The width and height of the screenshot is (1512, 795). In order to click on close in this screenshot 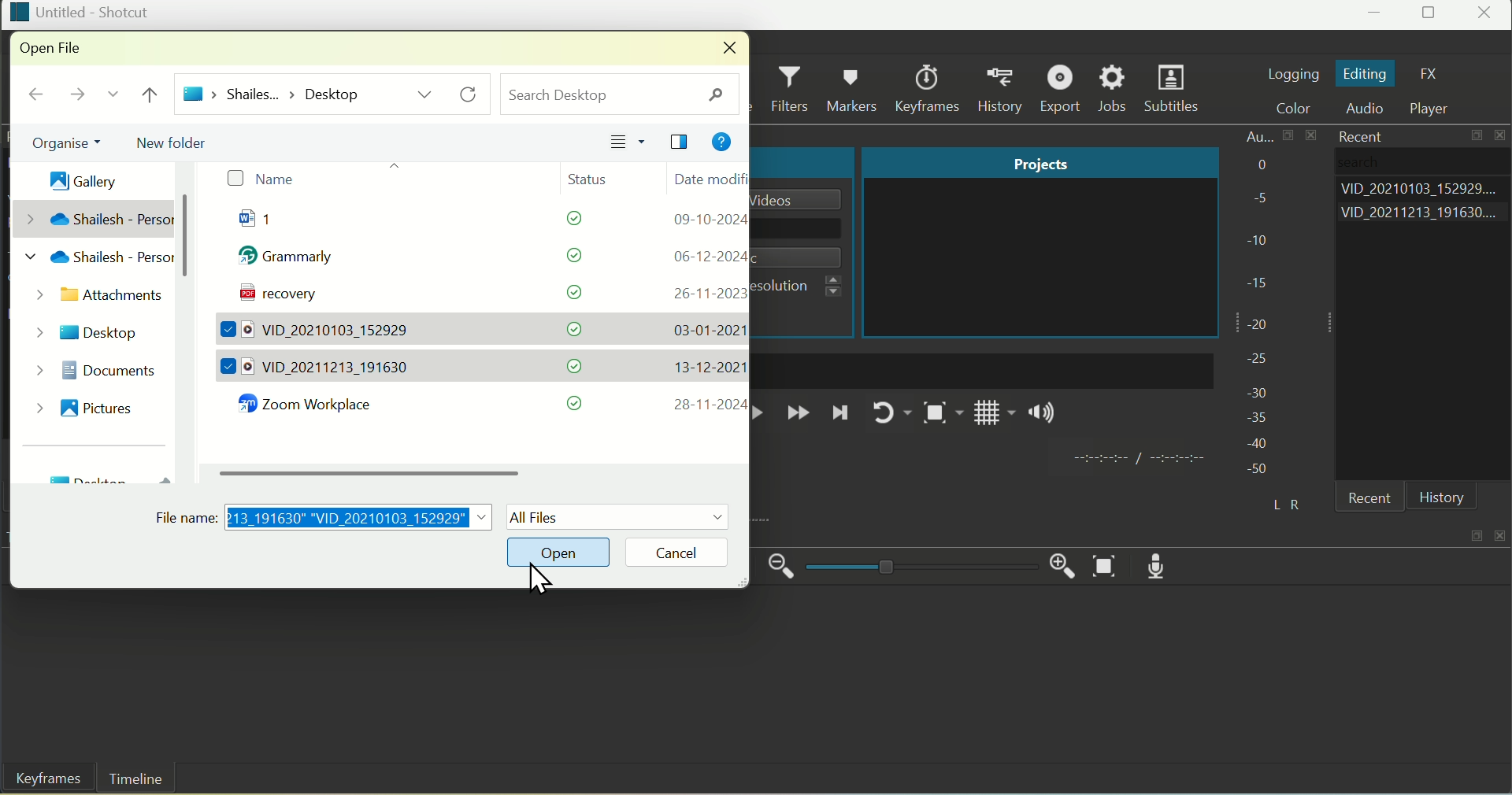, I will do `click(1503, 532)`.